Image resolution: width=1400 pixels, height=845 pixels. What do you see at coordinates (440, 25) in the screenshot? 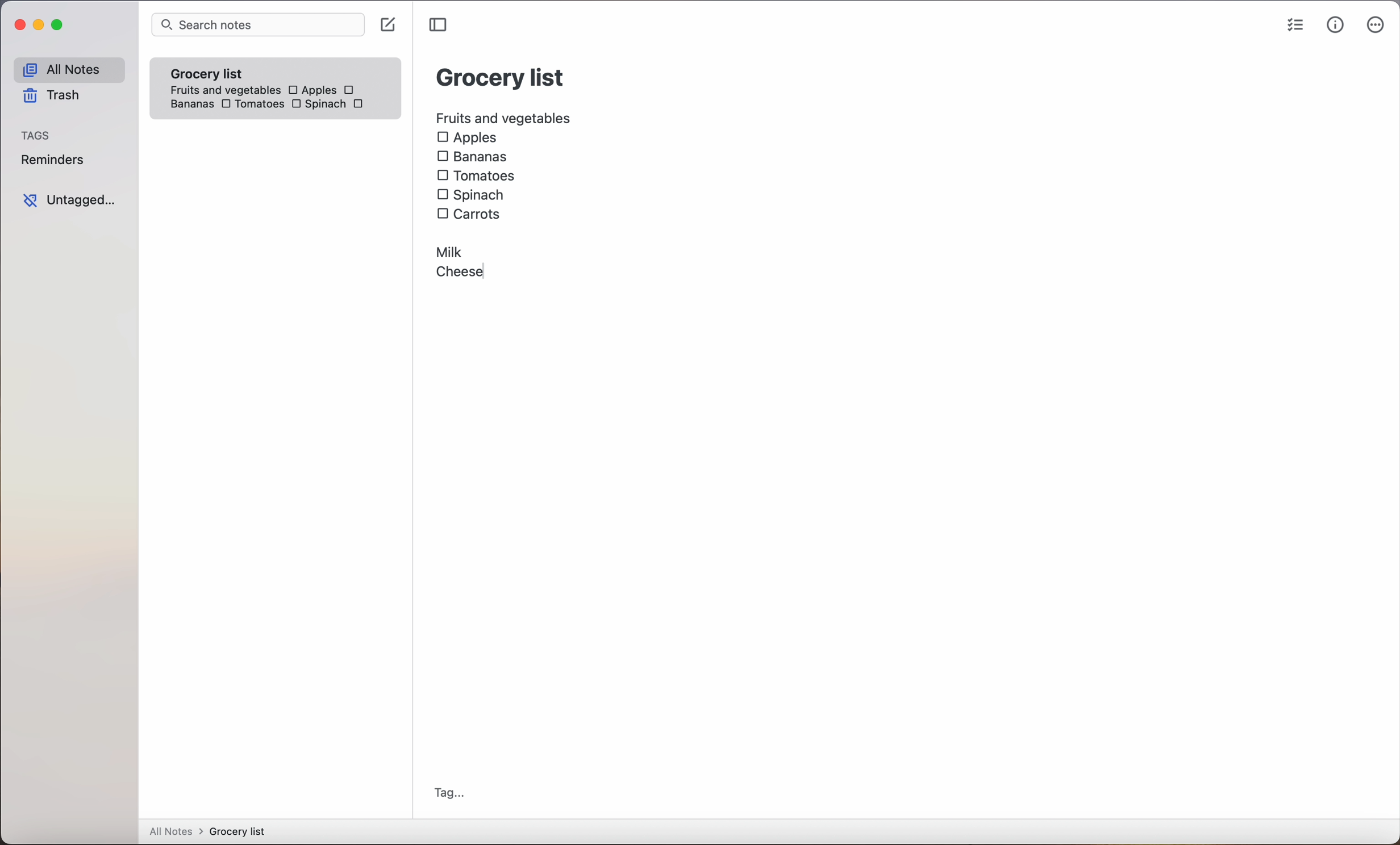
I see `toggle sidebar` at bounding box center [440, 25].